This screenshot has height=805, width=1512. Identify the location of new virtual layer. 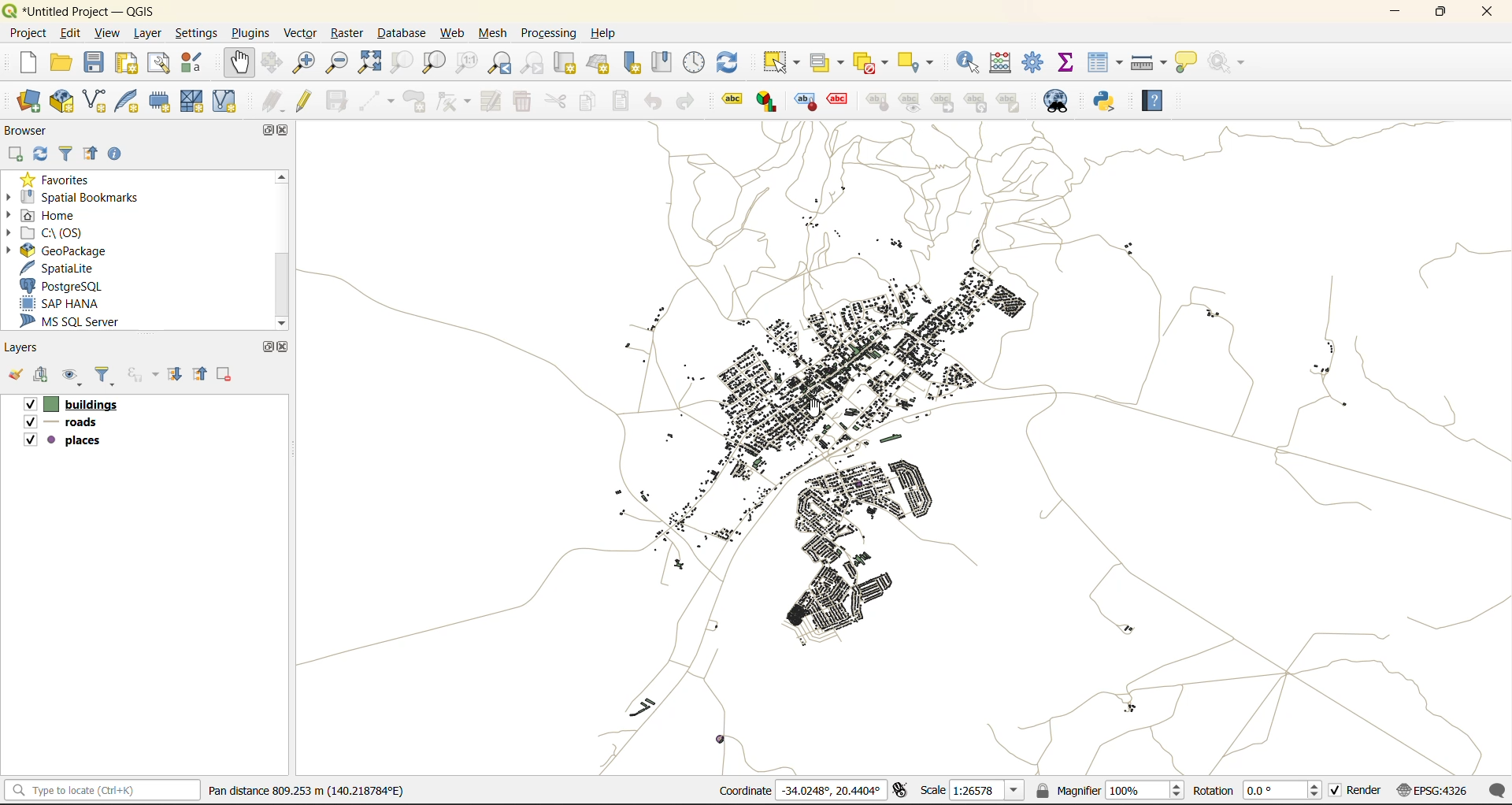
(228, 99).